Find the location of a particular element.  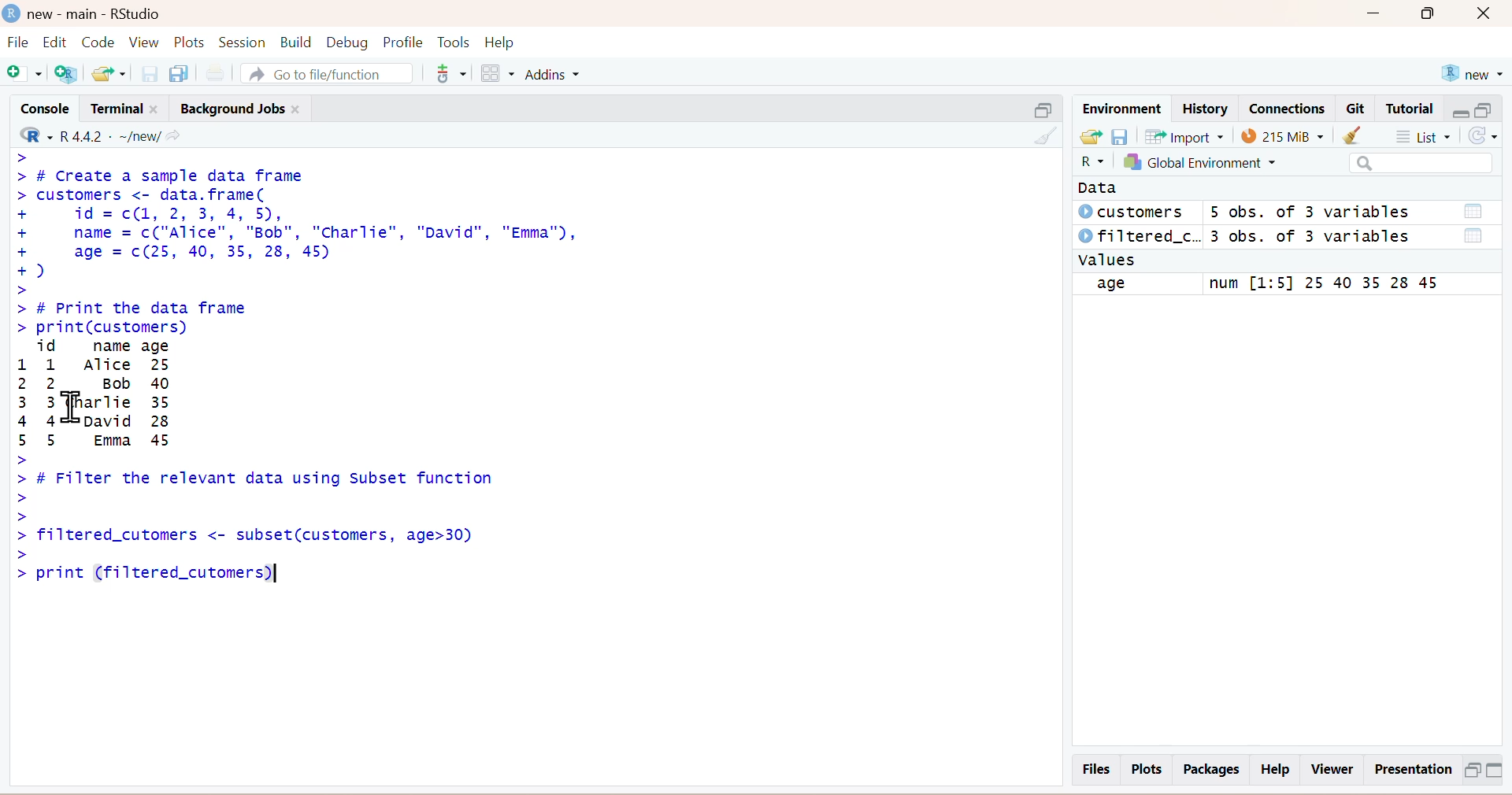

Clear Objects from workspaces is located at coordinates (1366, 136).